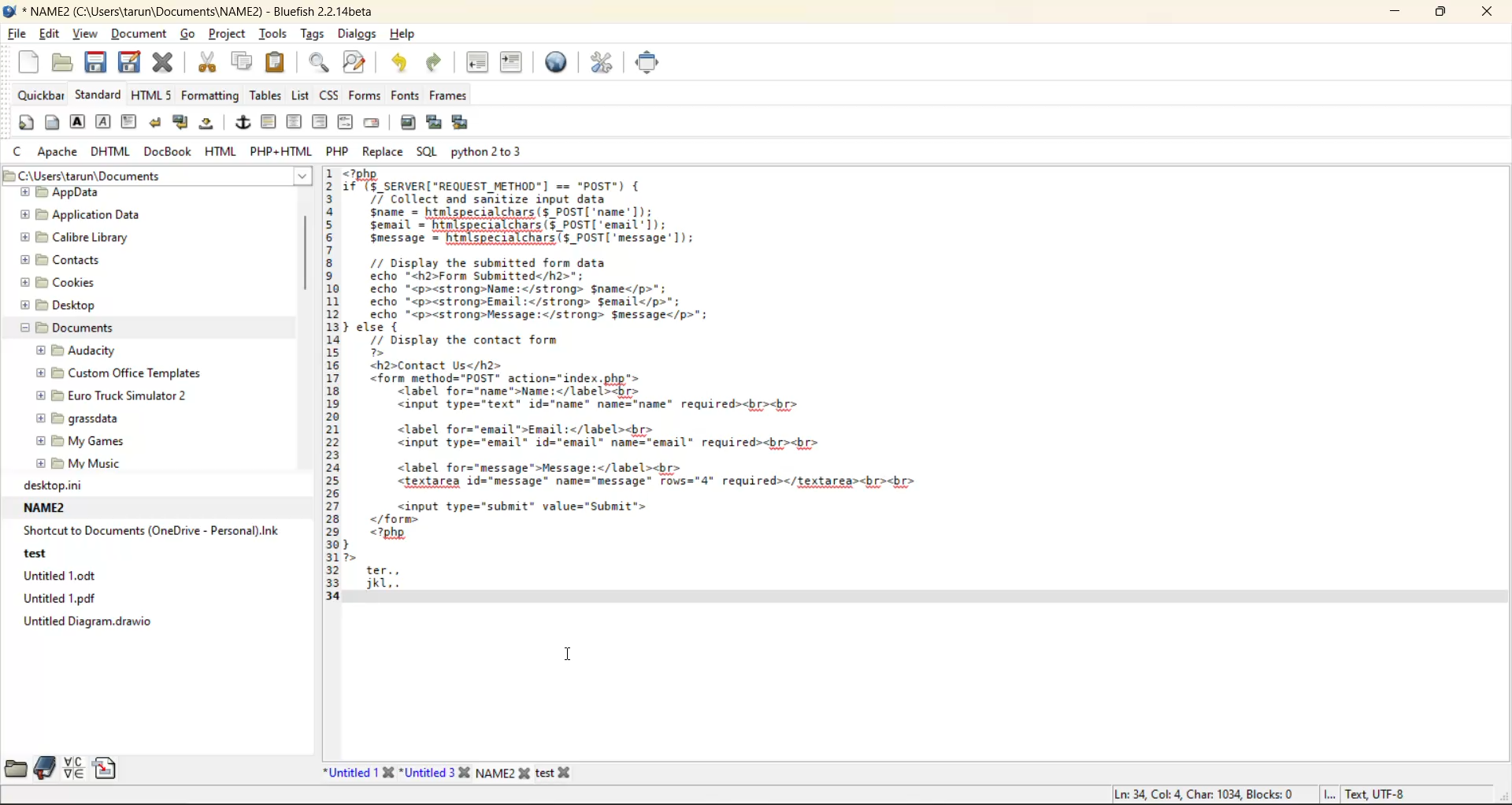  What do you see at coordinates (61, 578) in the screenshot?
I see `Untitled 1.odt` at bounding box center [61, 578].